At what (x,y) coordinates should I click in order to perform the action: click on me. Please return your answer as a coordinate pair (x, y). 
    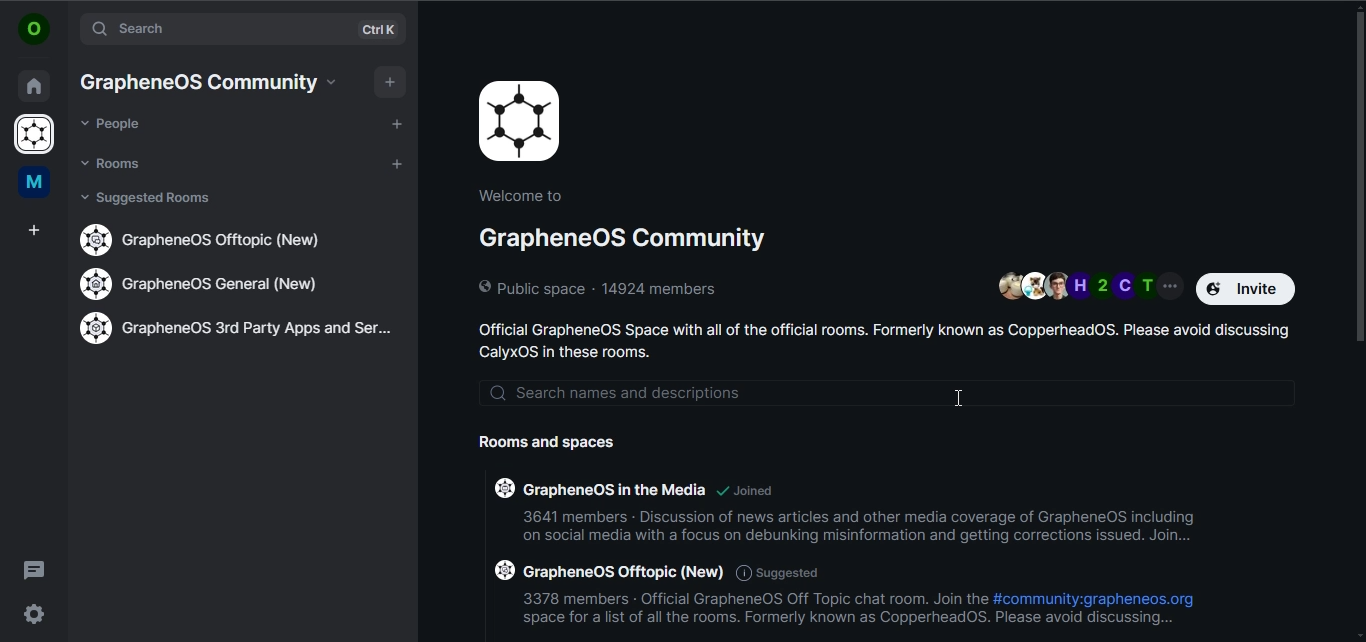
    Looking at the image, I should click on (32, 183).